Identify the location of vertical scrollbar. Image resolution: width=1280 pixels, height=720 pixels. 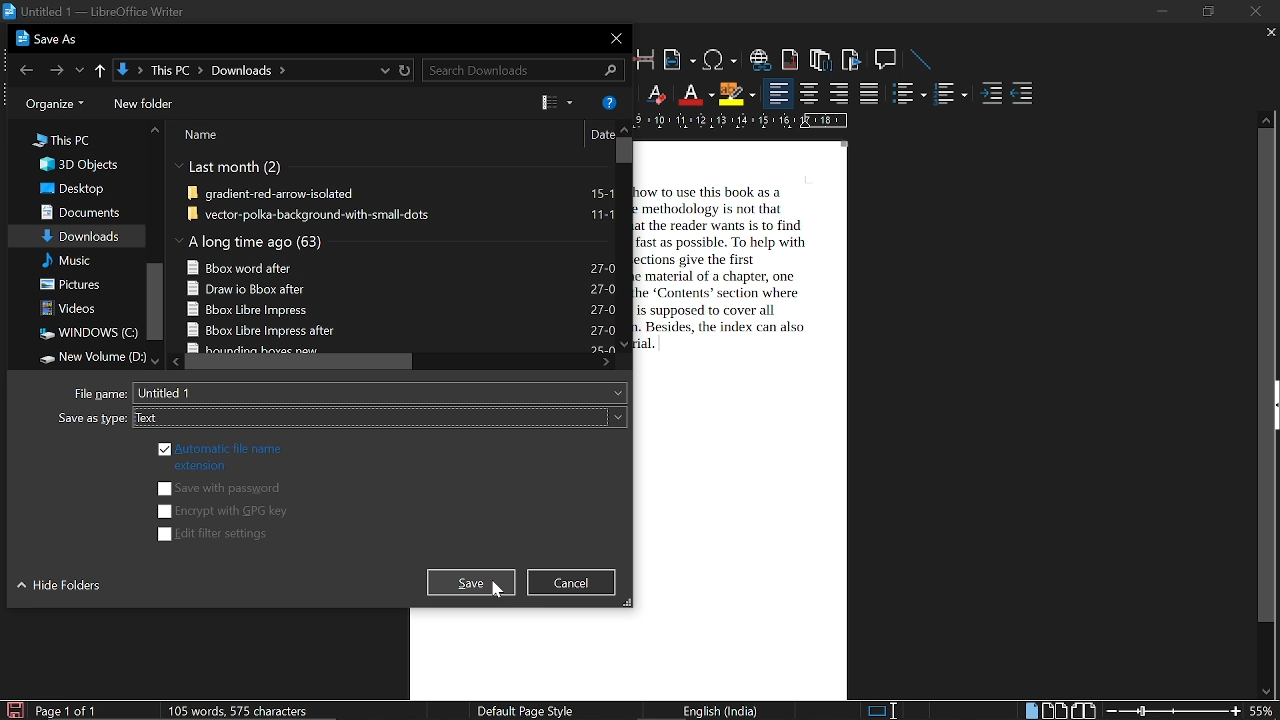
(622, 152).